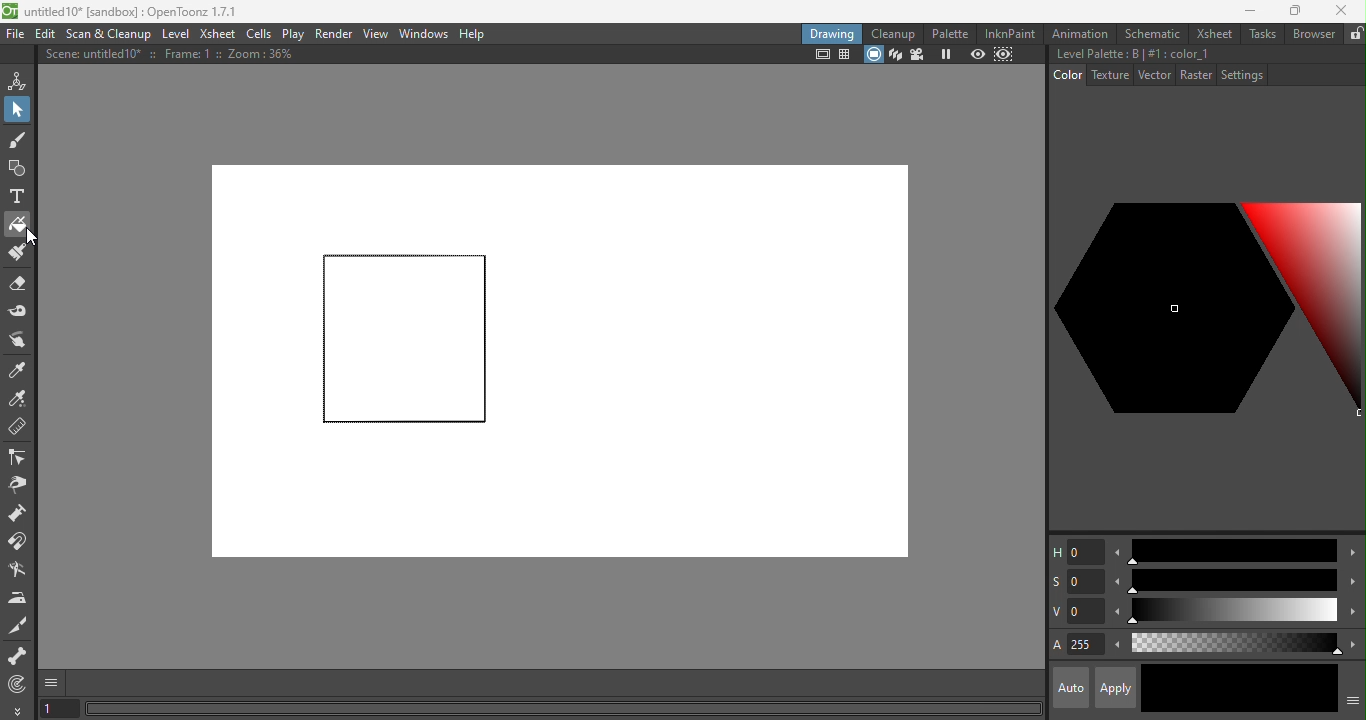  I want to click on Cells, so click(258, 35).